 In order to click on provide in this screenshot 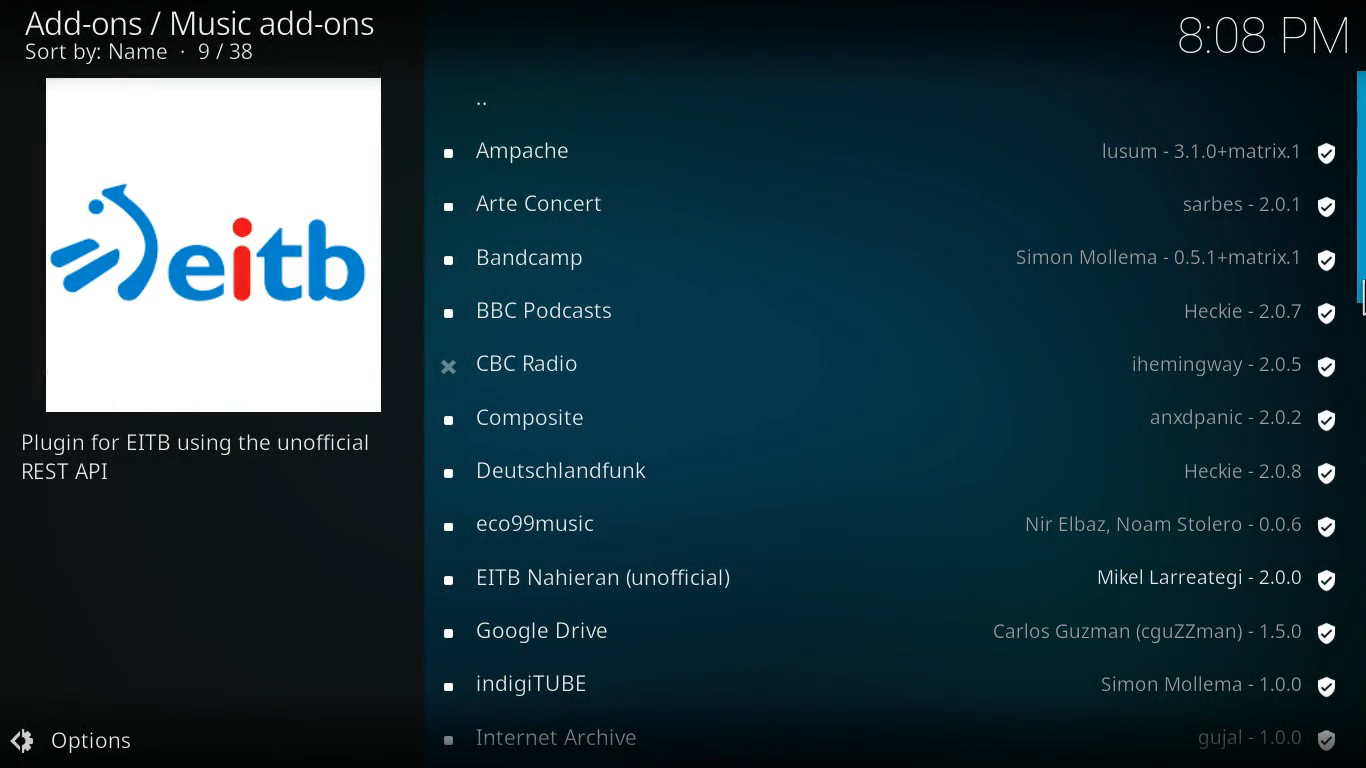, I will do `click(1259, 742)`.